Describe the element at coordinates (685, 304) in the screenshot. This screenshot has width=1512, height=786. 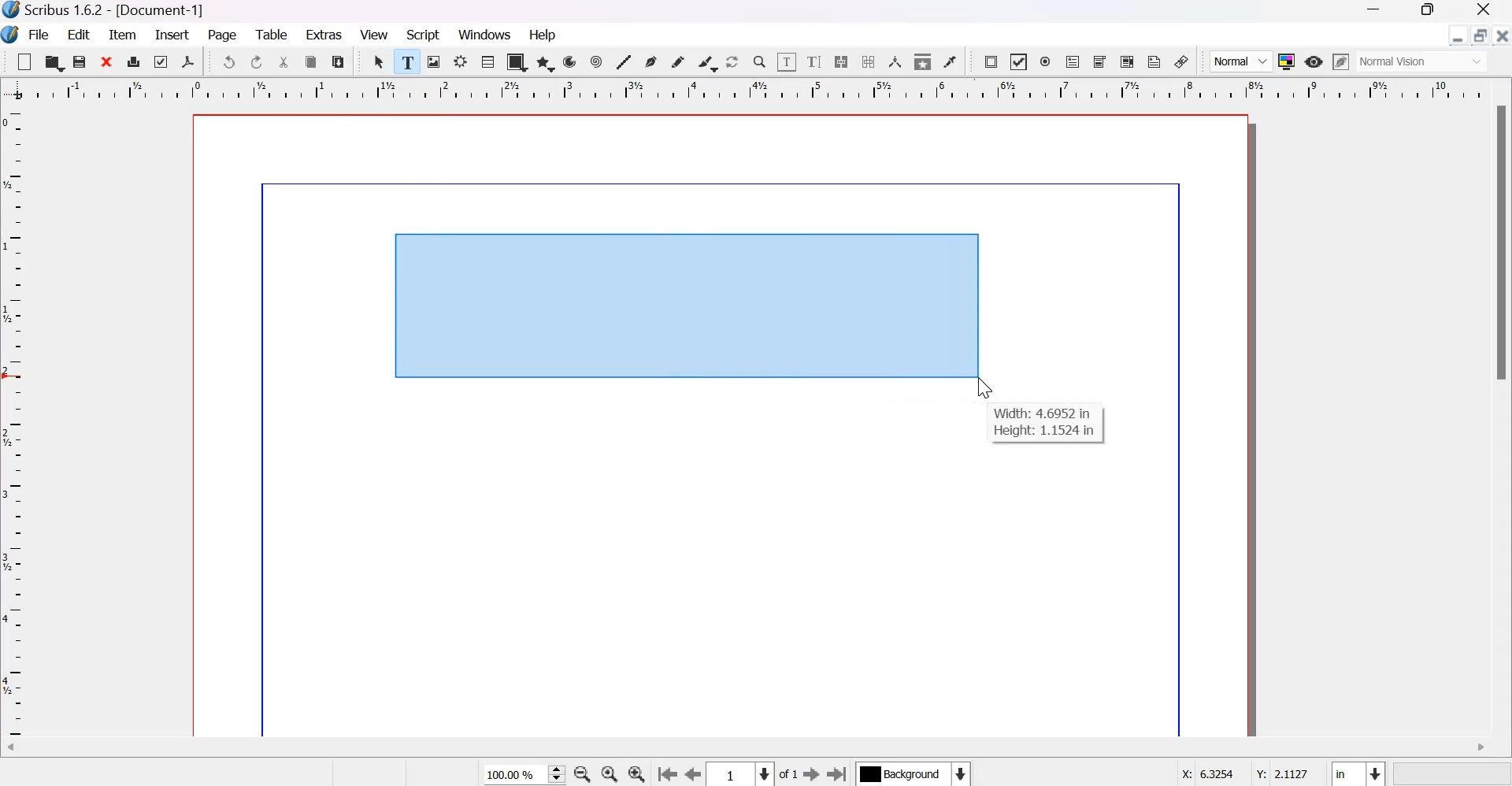
I see `Text frame` at that location.